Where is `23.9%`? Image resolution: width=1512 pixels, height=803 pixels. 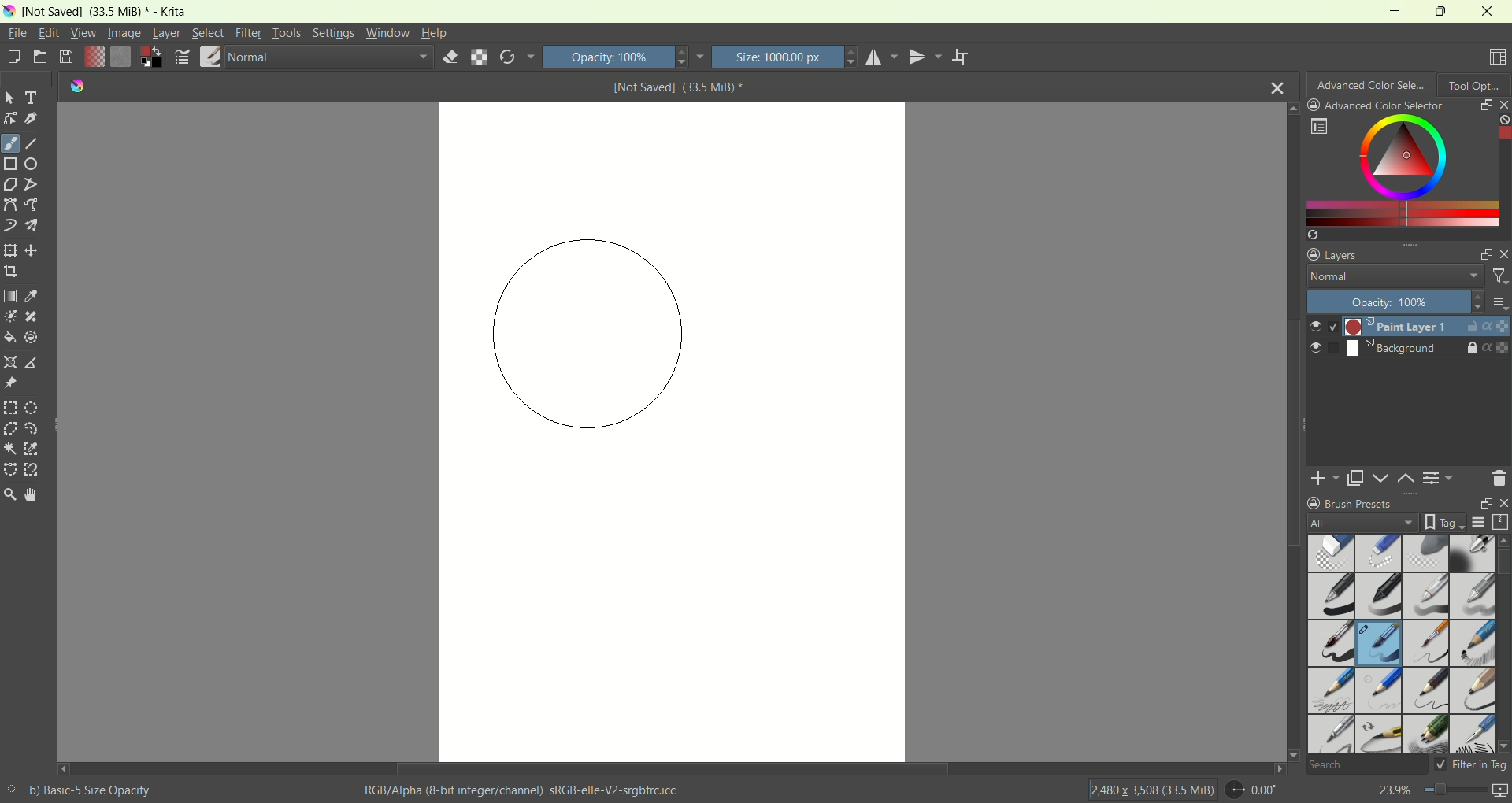
23.9% is located at coordinates (1443, 793).